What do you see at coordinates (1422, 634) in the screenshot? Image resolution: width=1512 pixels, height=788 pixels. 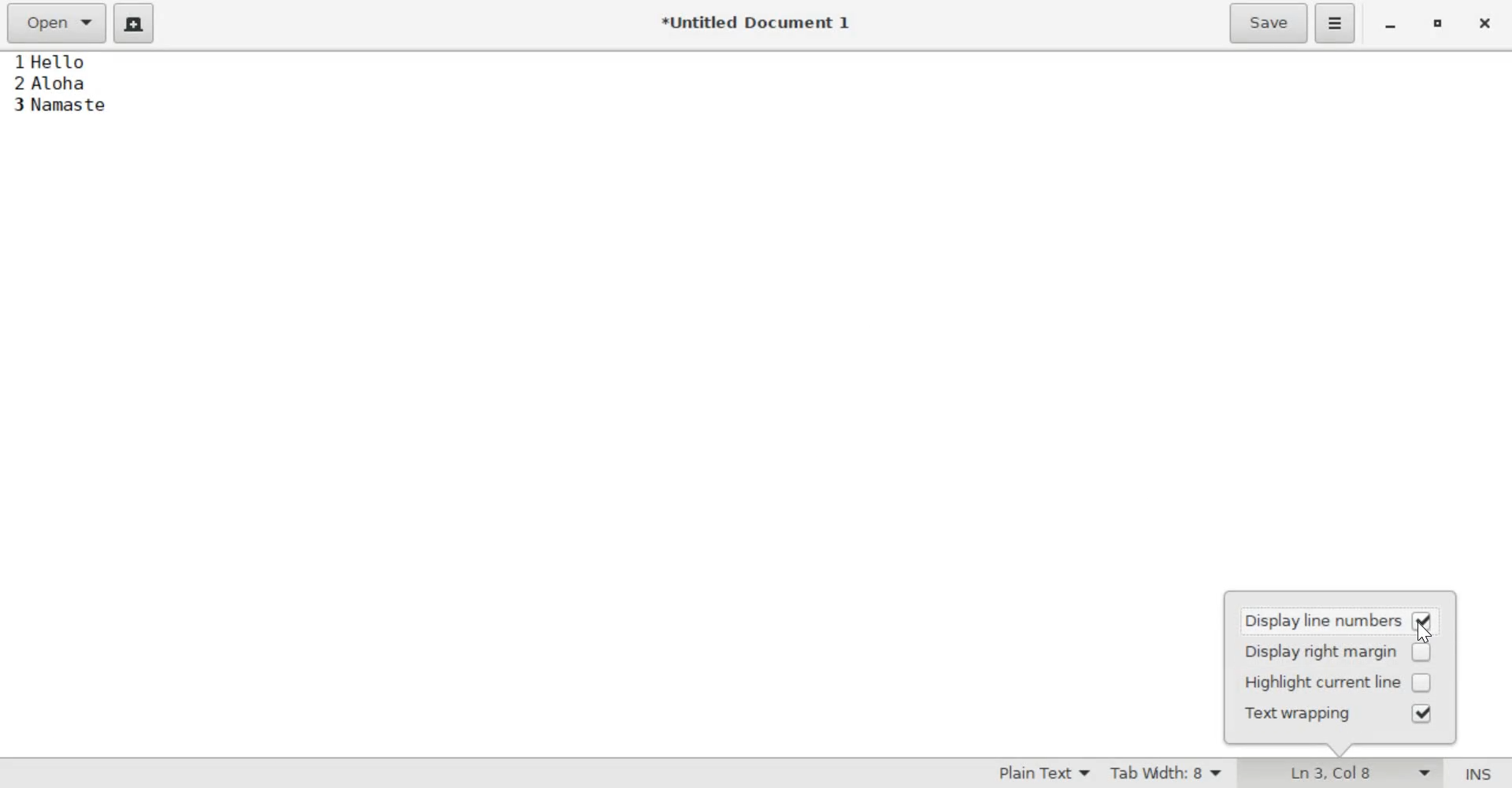 I see `cursor` at bounding box center [1422, 634].